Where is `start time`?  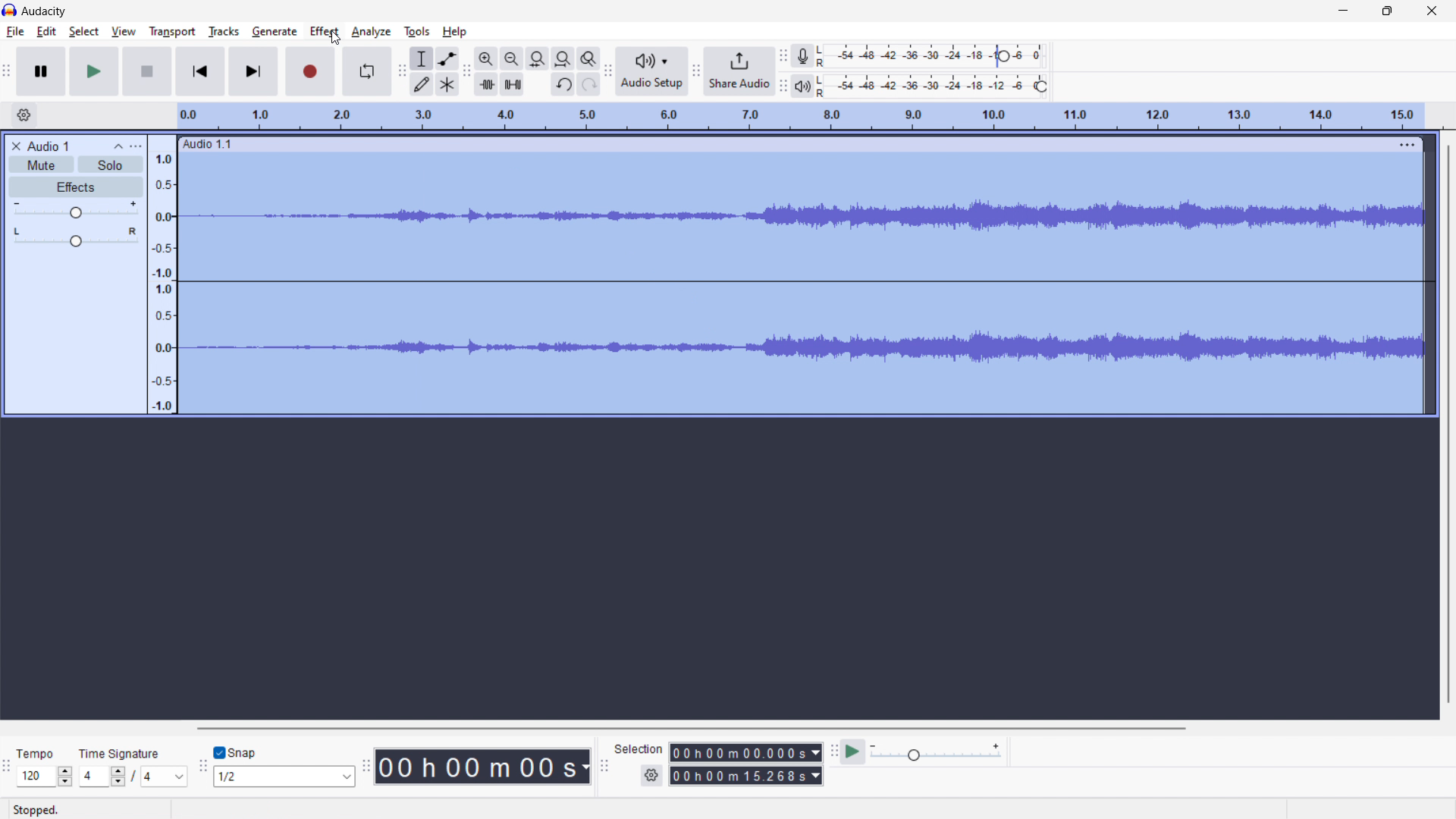 start time is located at coordinates (746, 752).